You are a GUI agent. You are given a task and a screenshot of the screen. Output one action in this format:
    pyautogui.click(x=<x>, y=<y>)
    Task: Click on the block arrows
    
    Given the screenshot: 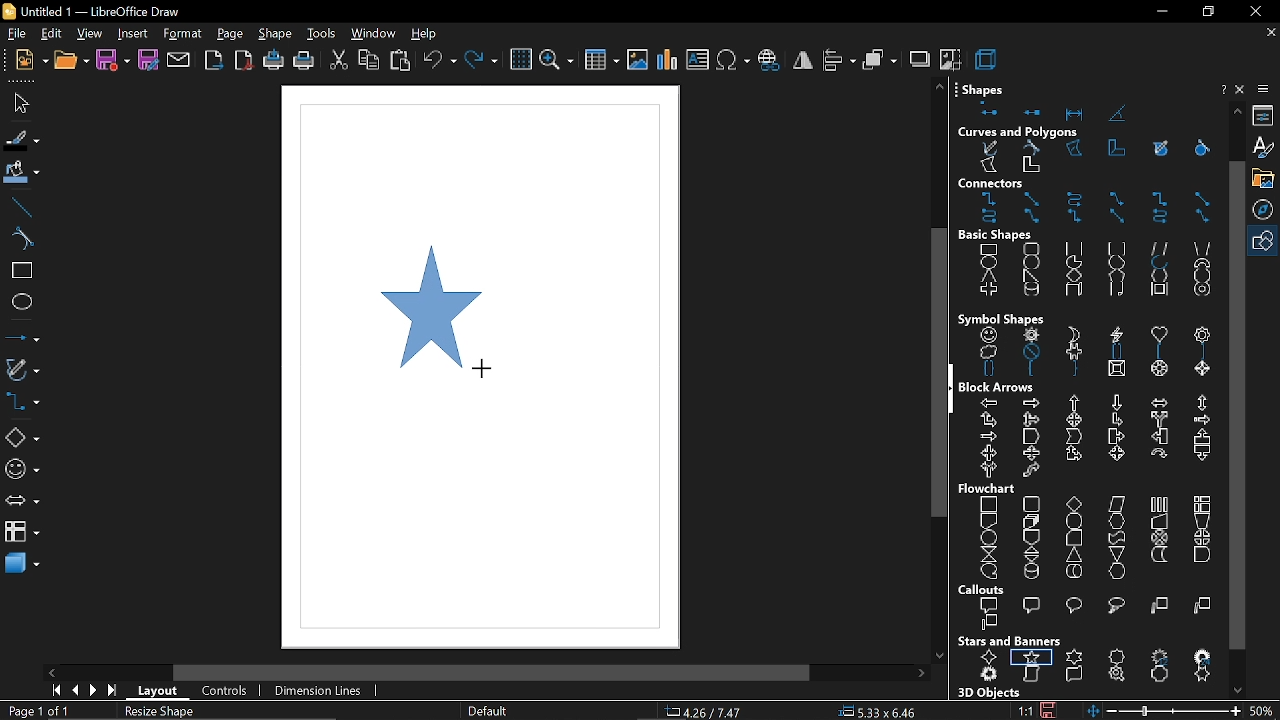 What is the action you would take?
    pyautogui.click(x=1000, y=388)
    